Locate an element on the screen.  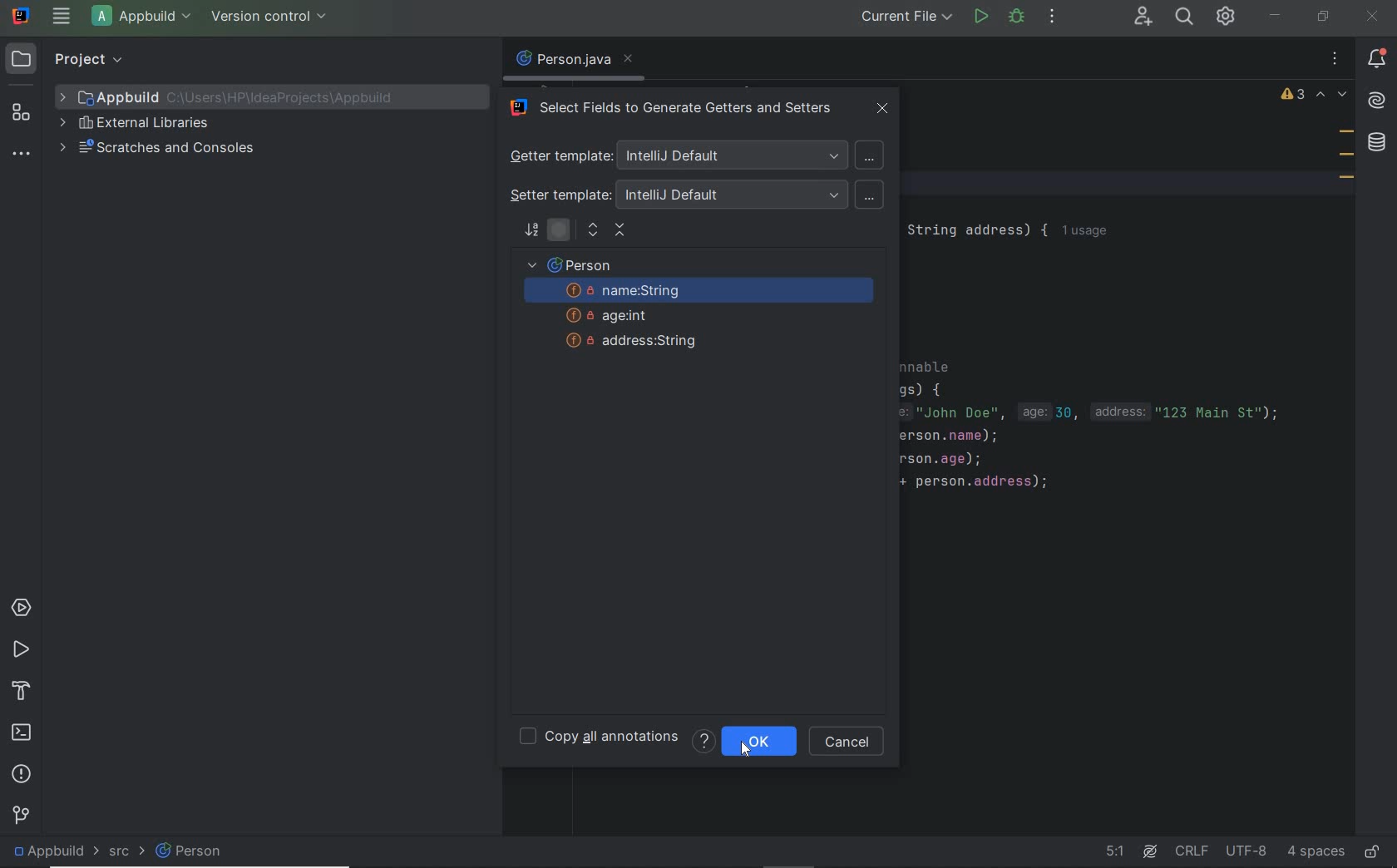
name:String is located at coordinates (702, 292).